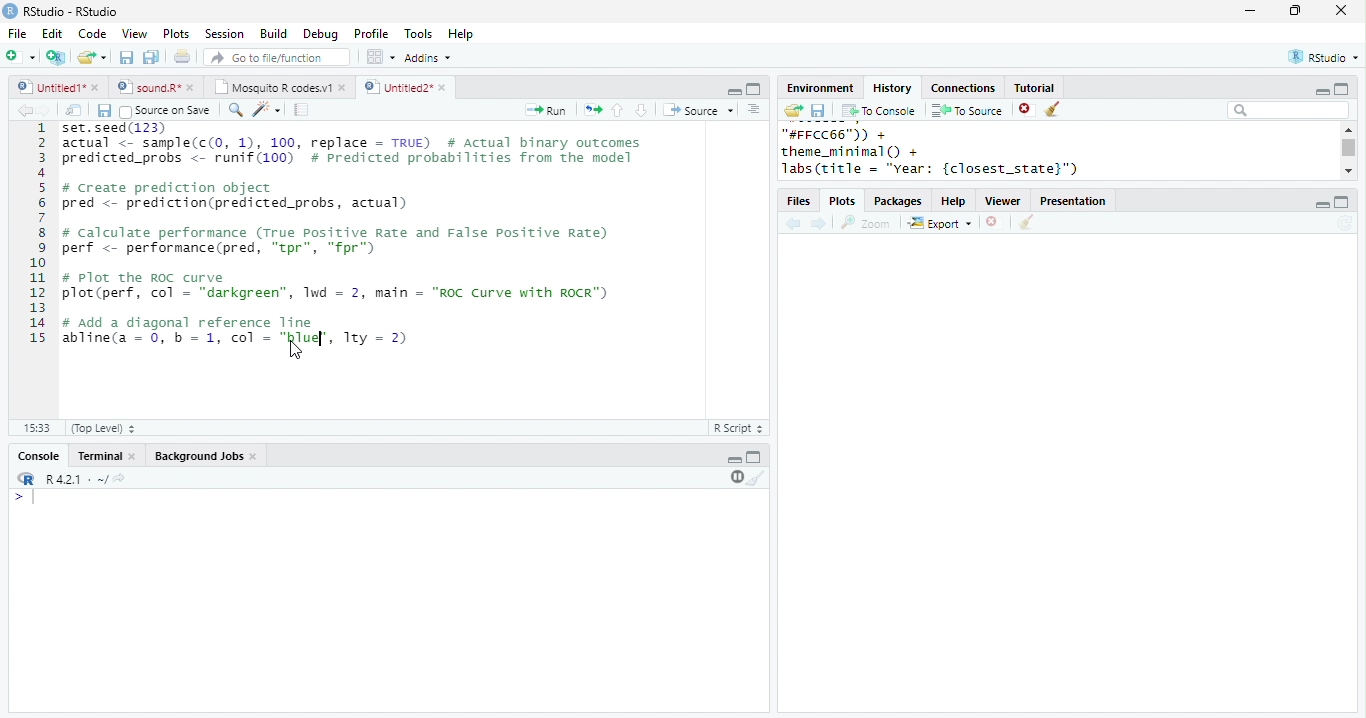 The height and width of the screenshot is (718, 1366). Describe the element at coordinates (1027, 110) in the screenshot. I see `close file` at that location.